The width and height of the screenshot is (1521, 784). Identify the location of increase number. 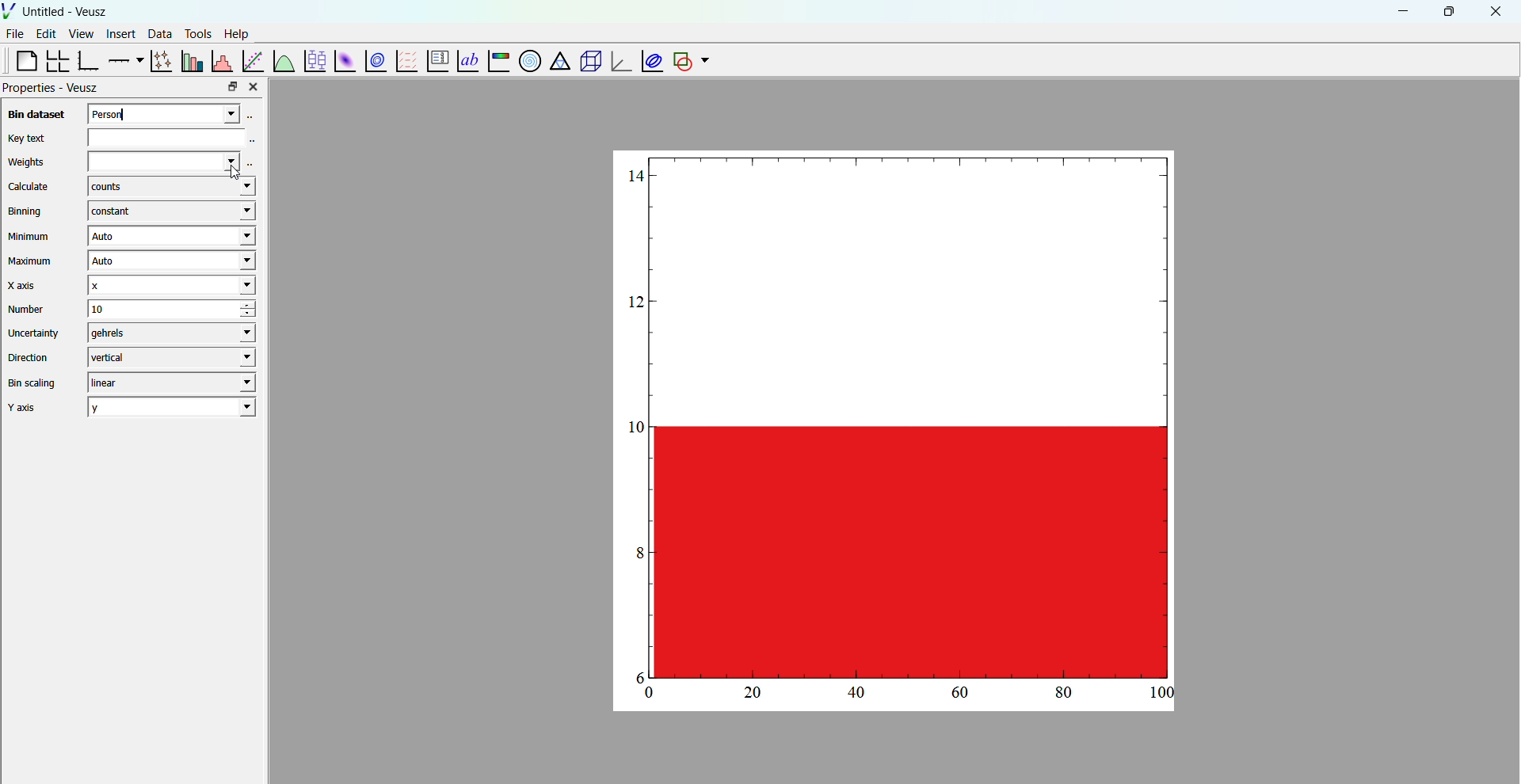
(259, 305).